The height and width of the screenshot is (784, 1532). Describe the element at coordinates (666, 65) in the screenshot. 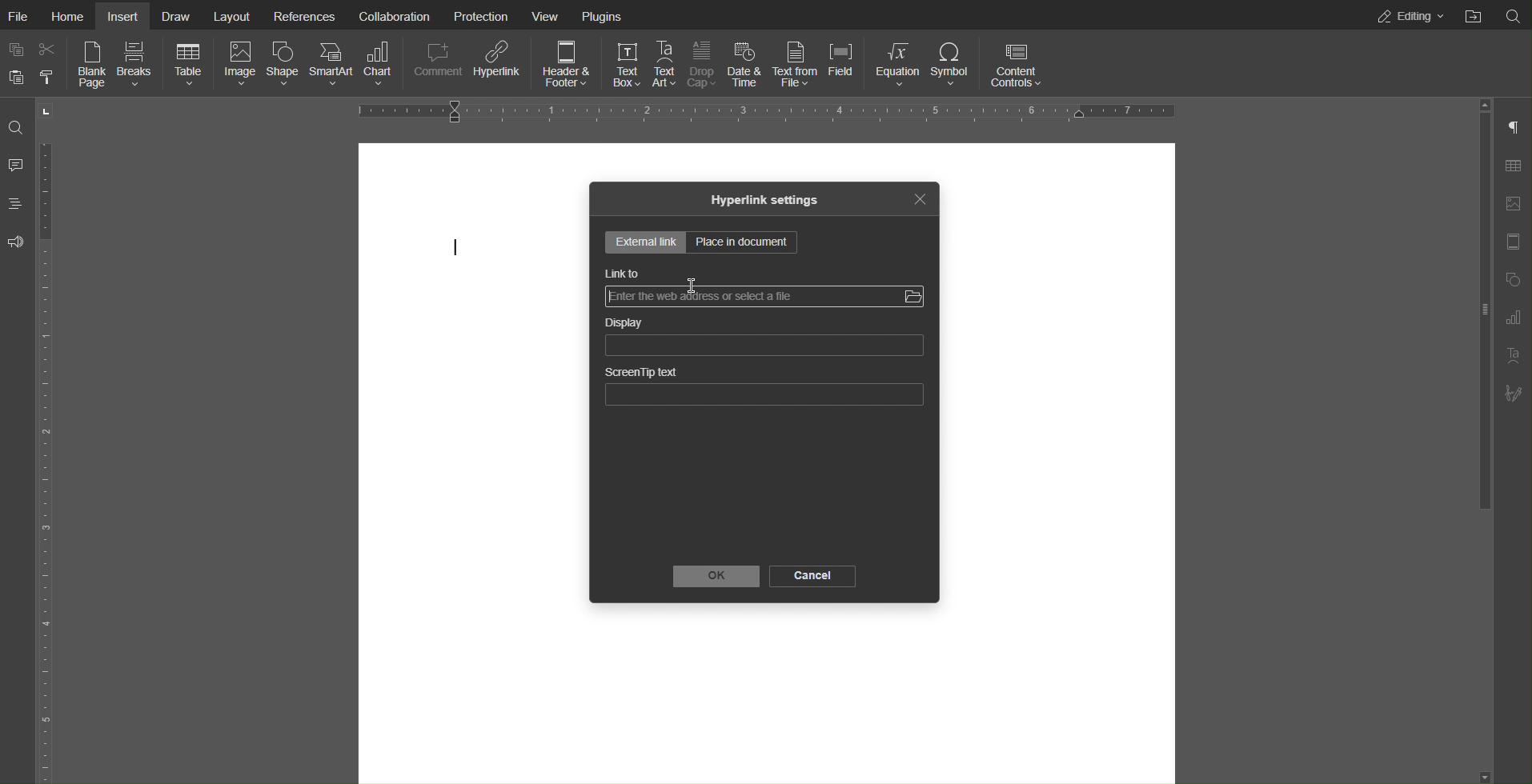

I see `Text Art` at that location.